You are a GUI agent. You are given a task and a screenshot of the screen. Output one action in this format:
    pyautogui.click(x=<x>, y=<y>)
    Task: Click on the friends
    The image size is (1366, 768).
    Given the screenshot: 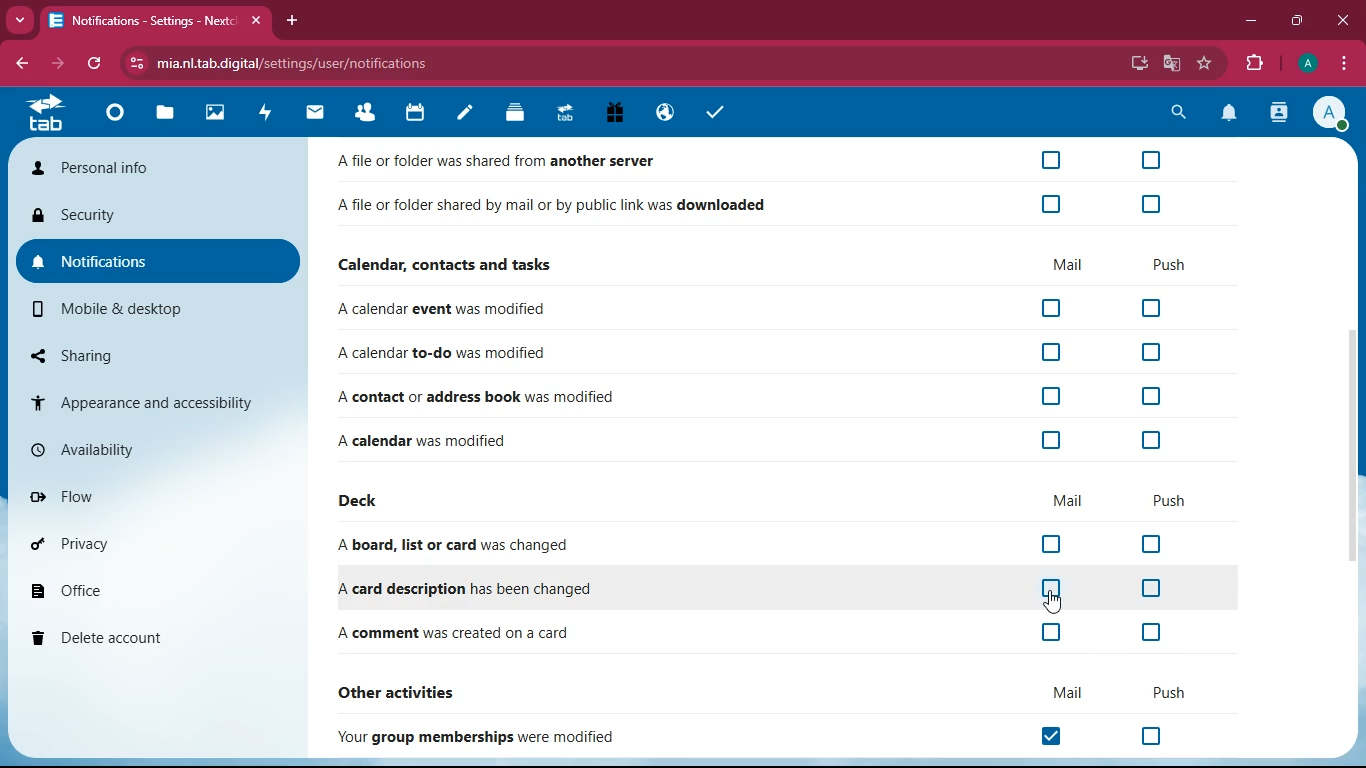 What is the action you would take?
    pyautogui.click(x=370, y=112)
    